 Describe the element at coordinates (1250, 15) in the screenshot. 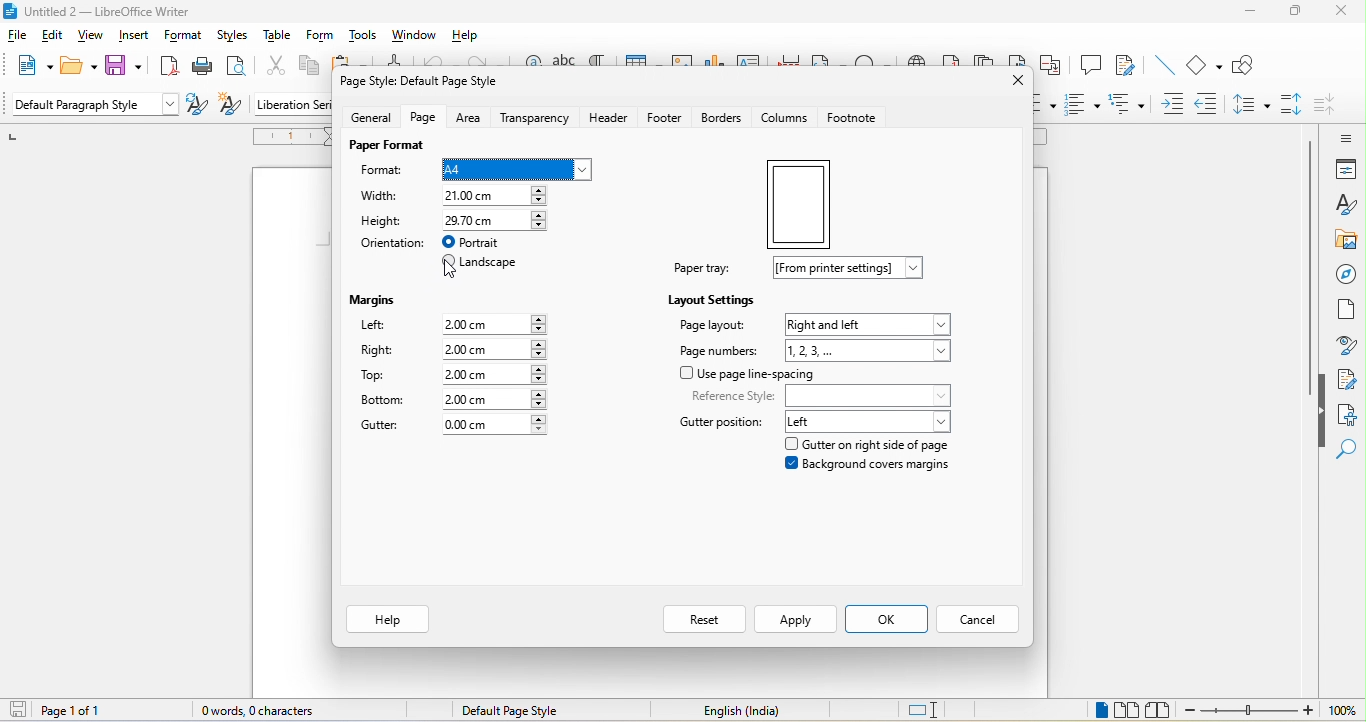

I see `minimize` at that location.